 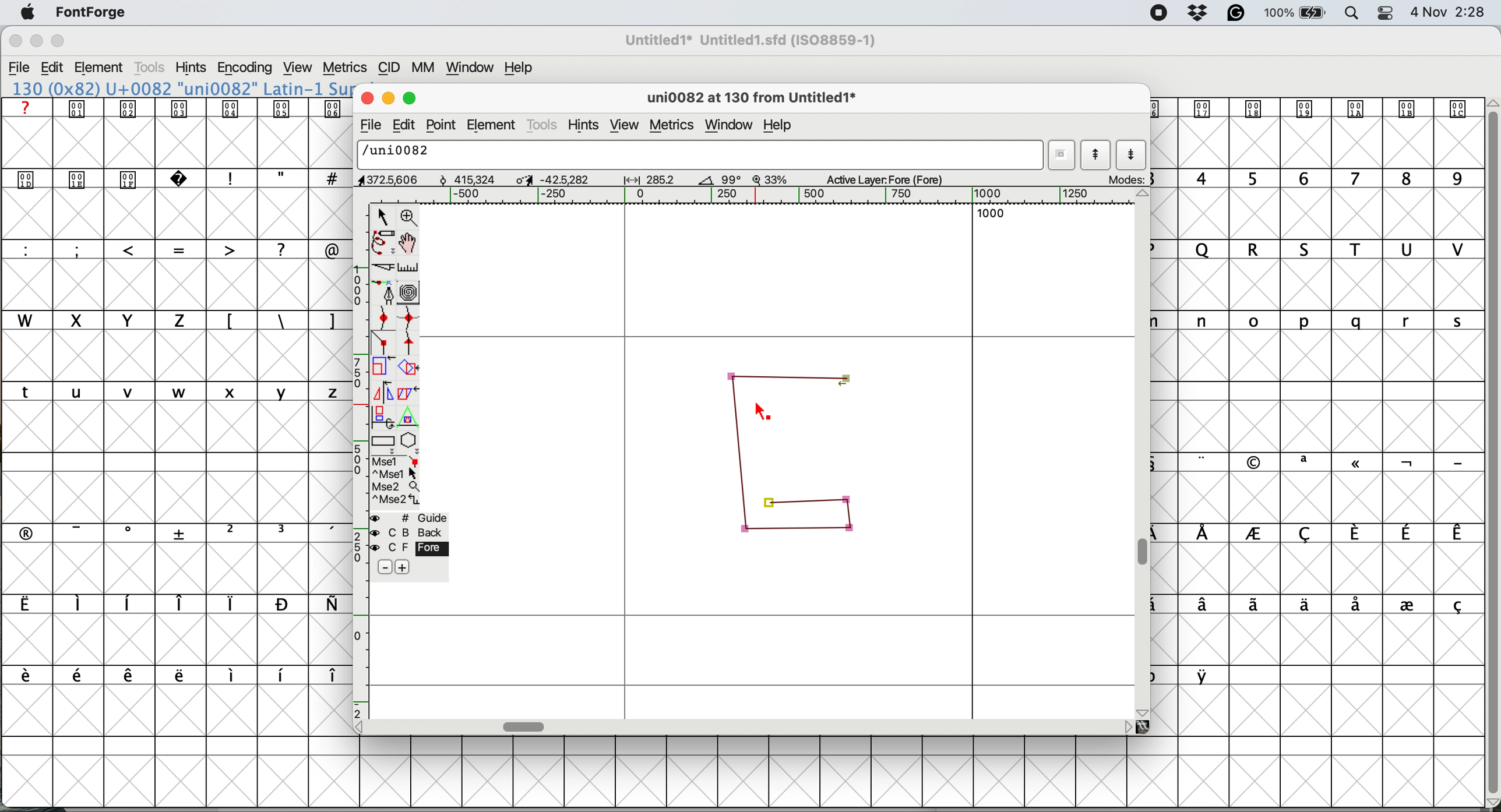 What do you see at coordinates (52, 68) in the screenshot?
I see `edit` at bounding box center [52, 68].